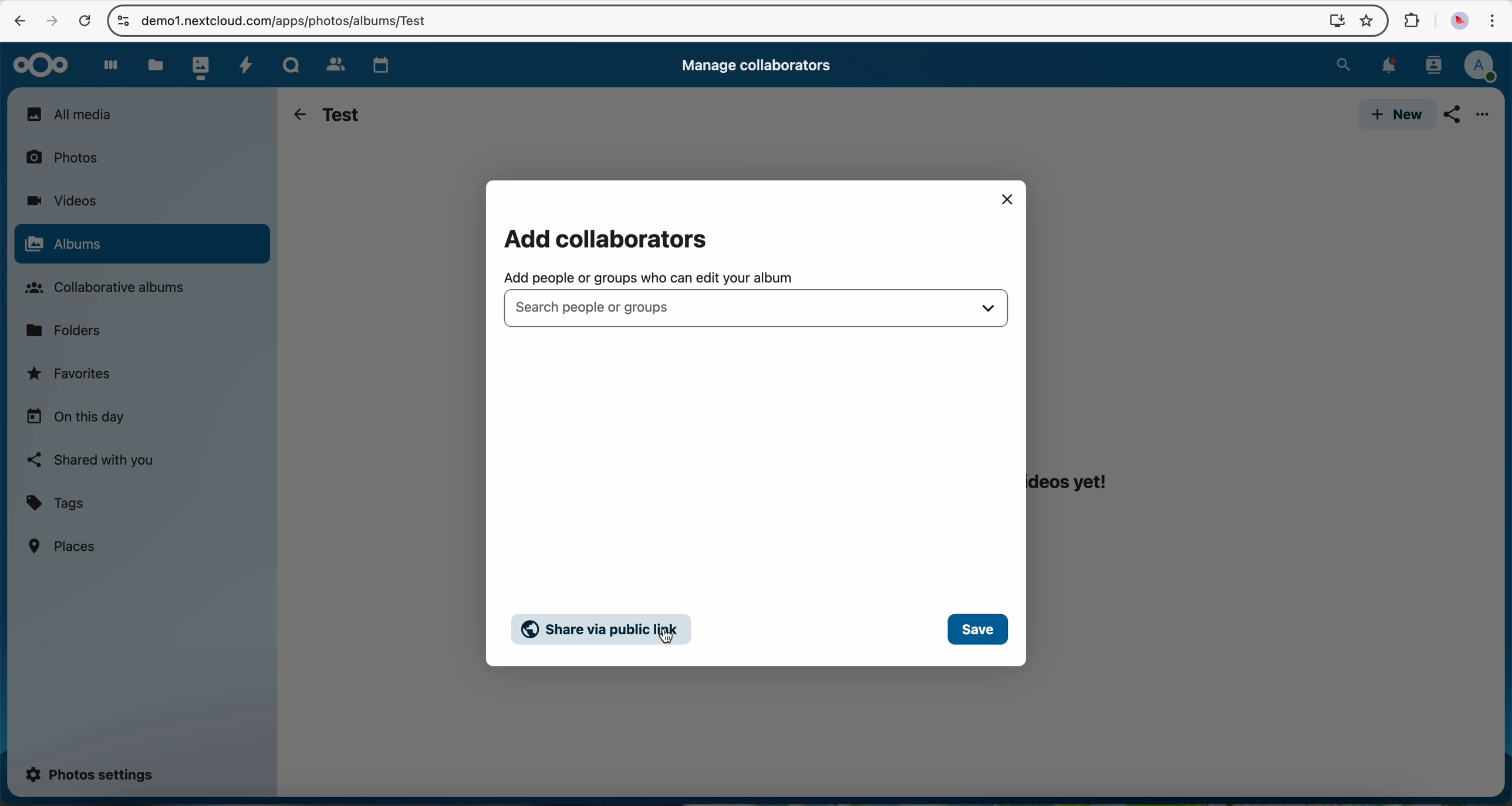 This screenshot has width=1512, height=806. Describe the element at coordinates (76, 418) in the screenshot. I see `on this day` at that location.